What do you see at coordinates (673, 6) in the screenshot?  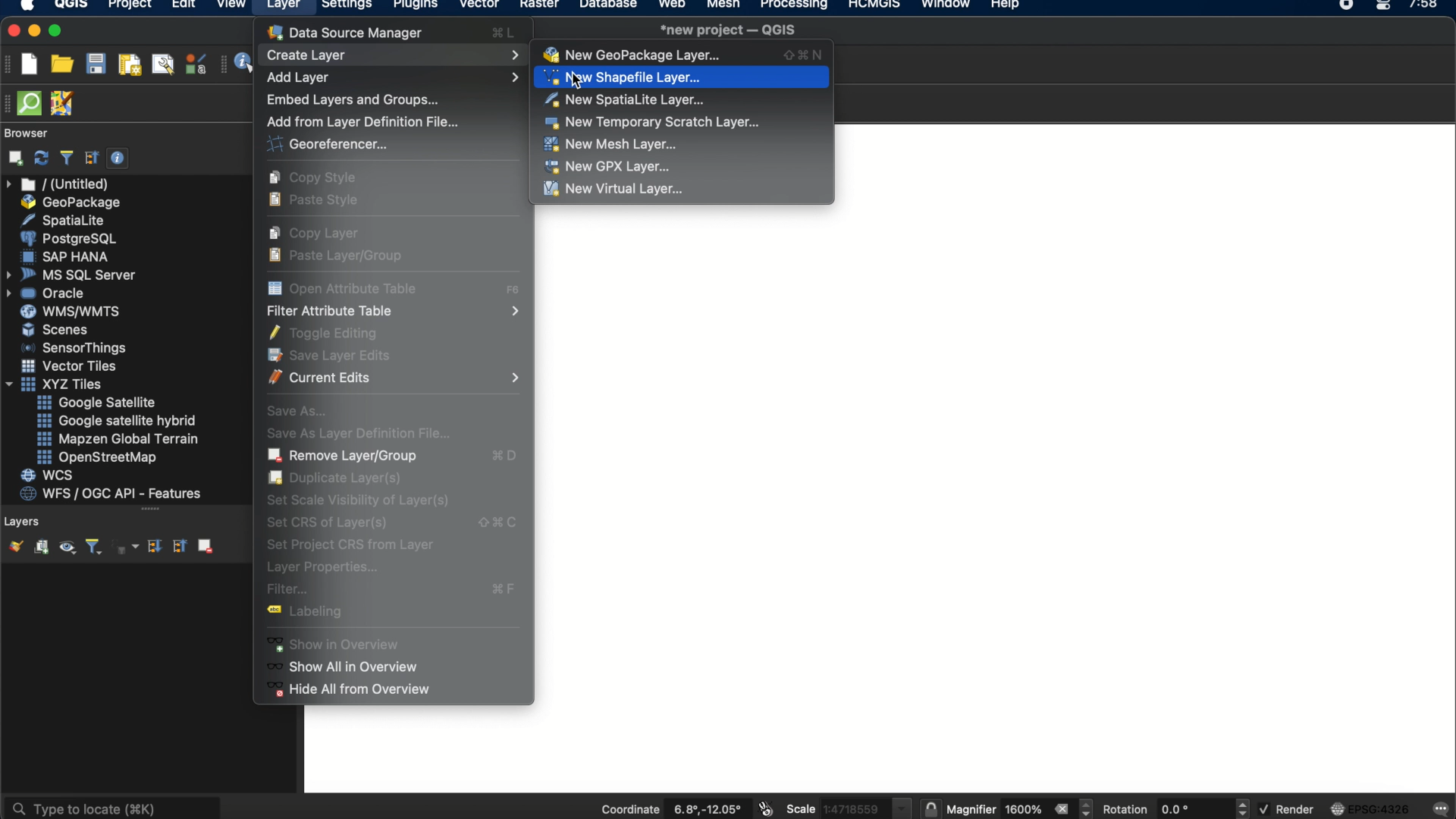 I see `web` at bounding box center [673, 6].